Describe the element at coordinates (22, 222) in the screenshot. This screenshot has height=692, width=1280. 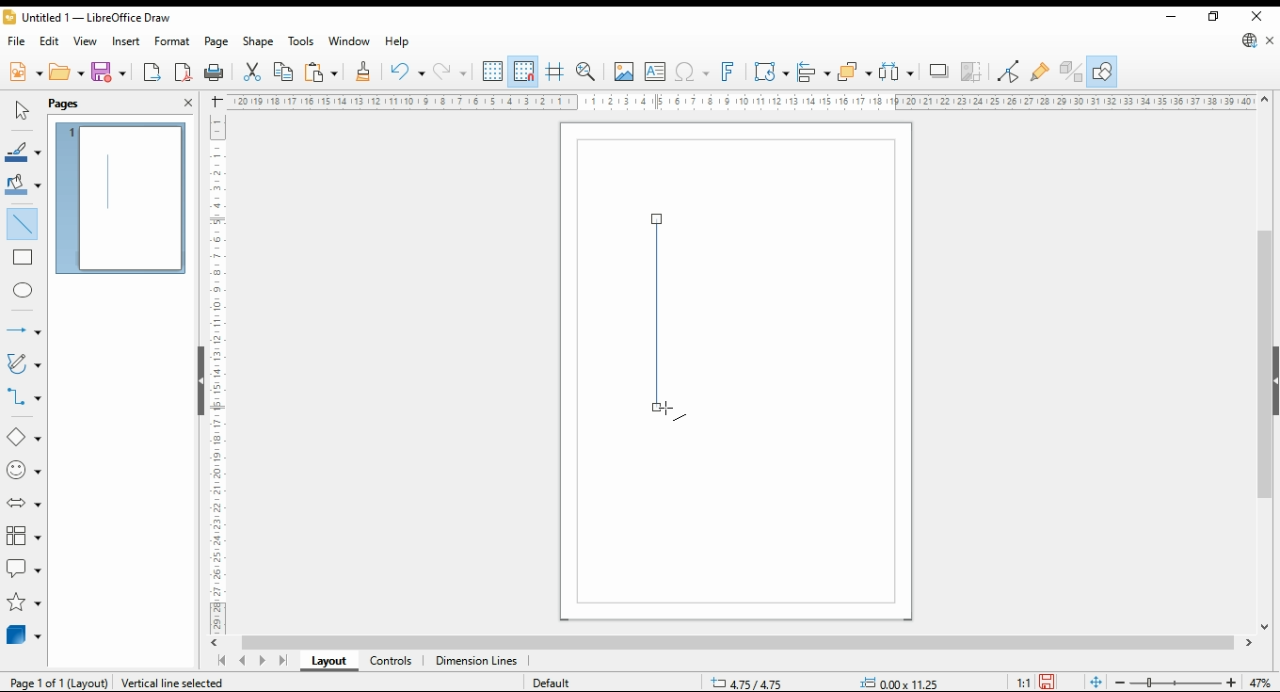
I see `insert line` at that location.